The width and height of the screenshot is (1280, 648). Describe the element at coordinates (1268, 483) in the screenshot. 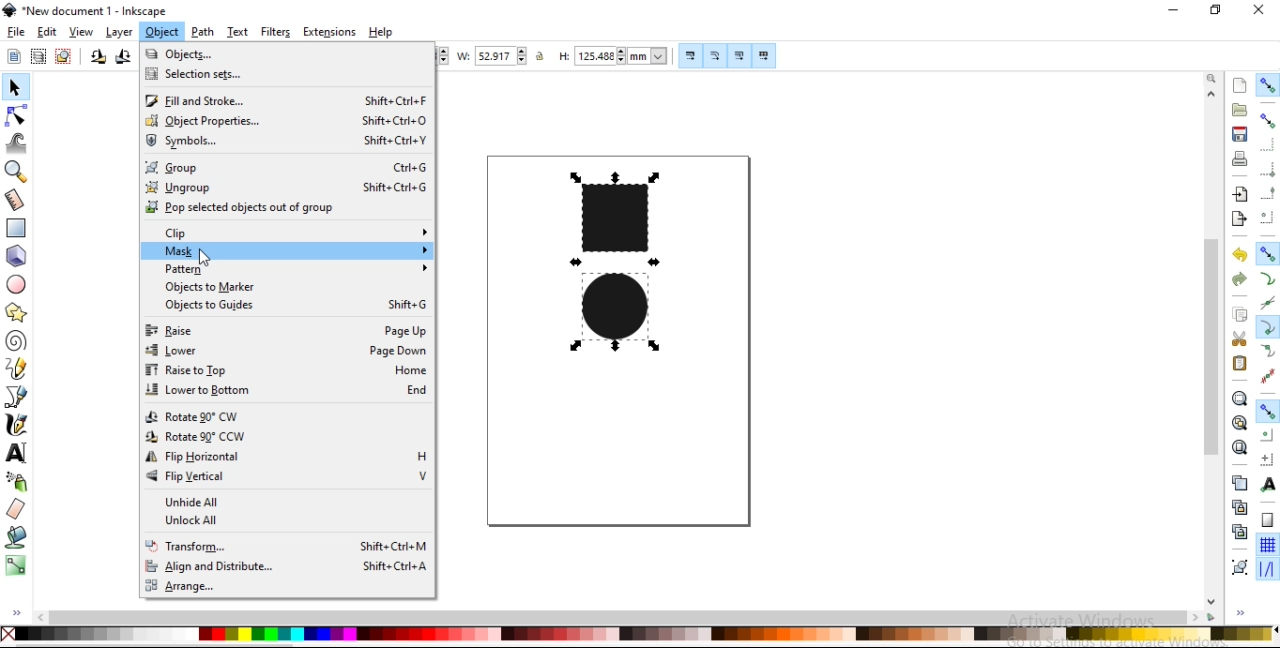

I see `snap text anchors and baselines` at that location.